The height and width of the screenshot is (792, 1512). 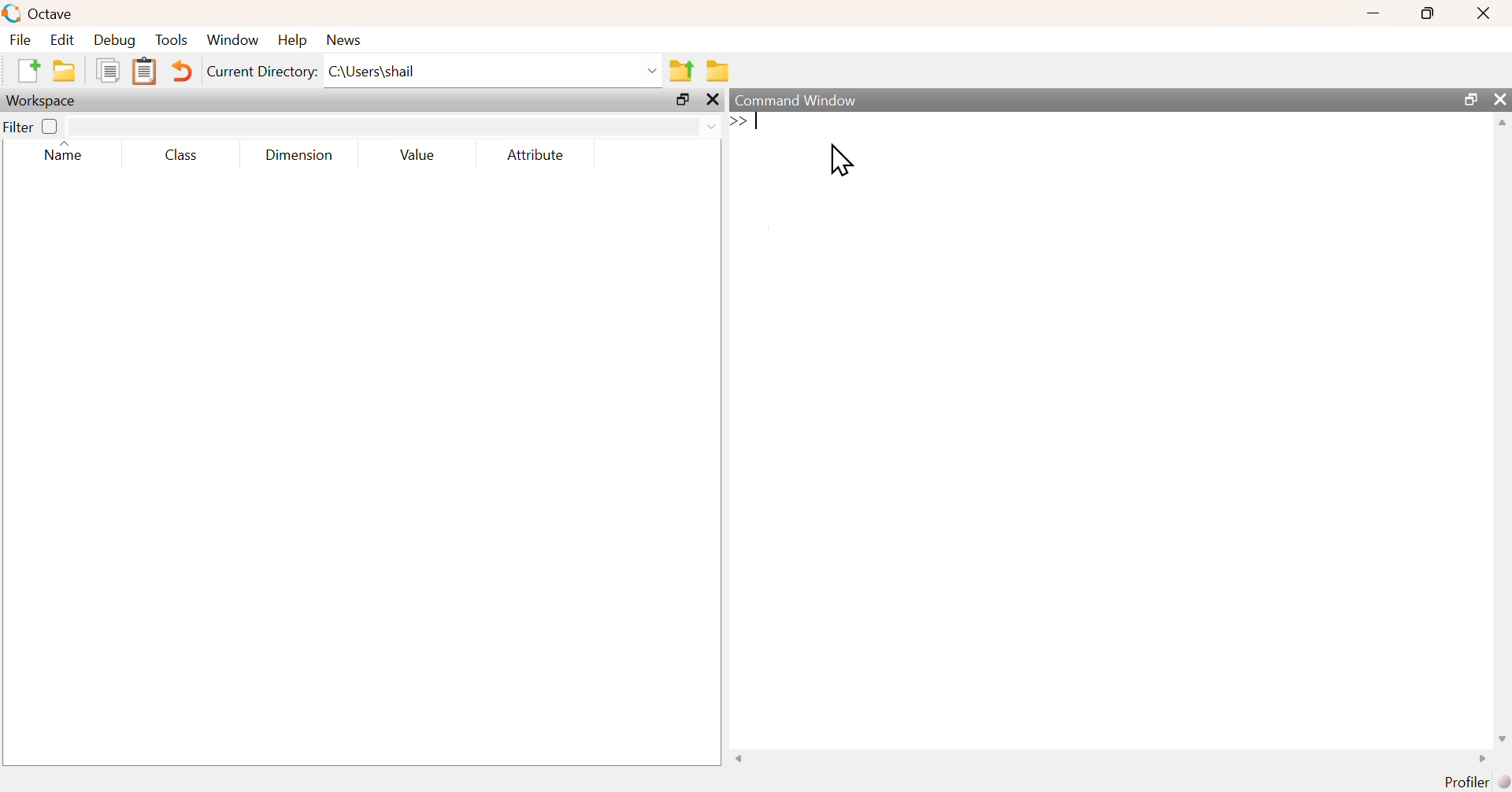 What do you see at coordinates (685, 102) in the screenshot?
I see `Maximize` at bounding box center [685, 102].